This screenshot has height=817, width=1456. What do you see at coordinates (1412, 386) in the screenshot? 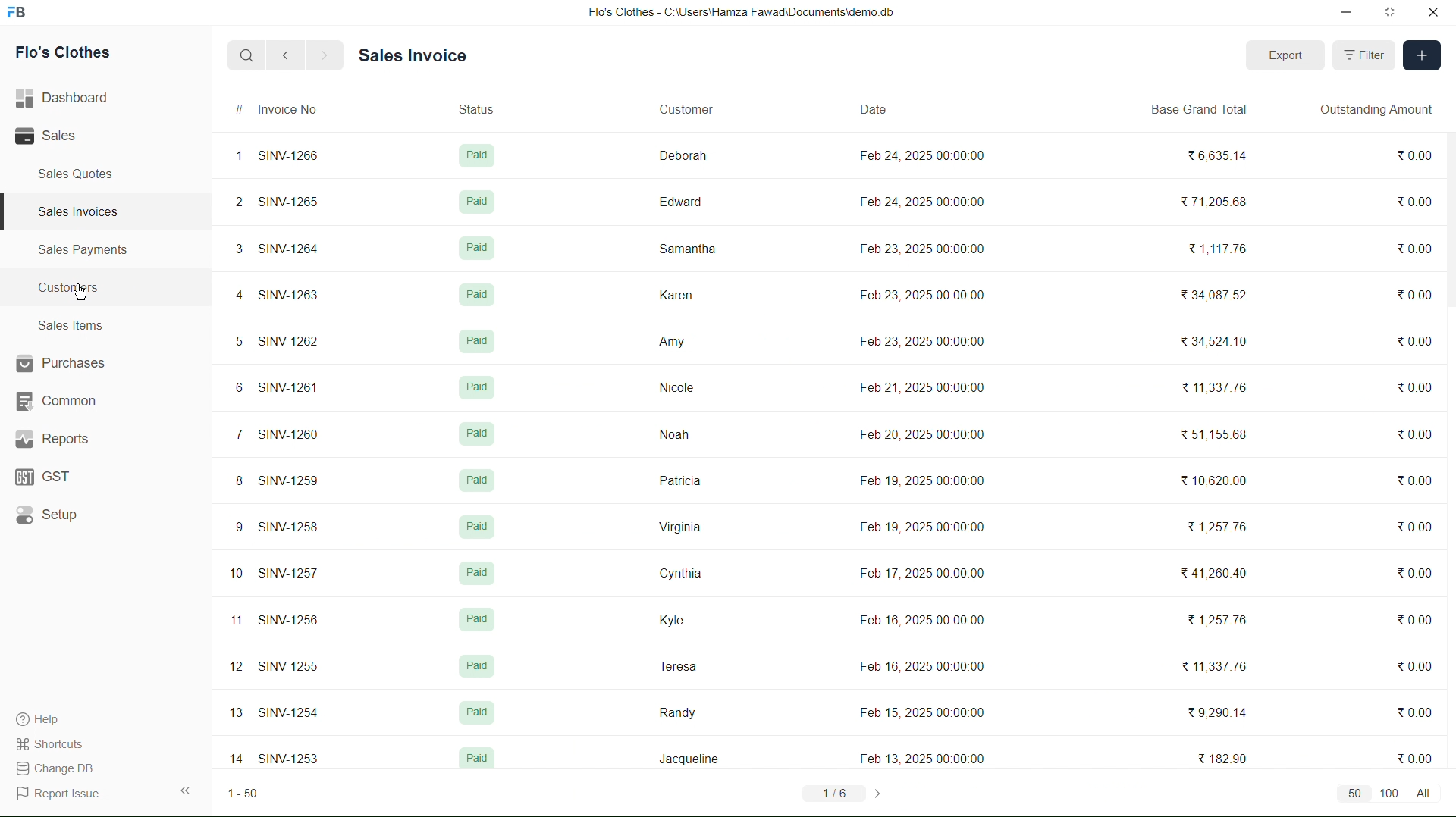
I see `0.00` at bounding box center [1412, 386].